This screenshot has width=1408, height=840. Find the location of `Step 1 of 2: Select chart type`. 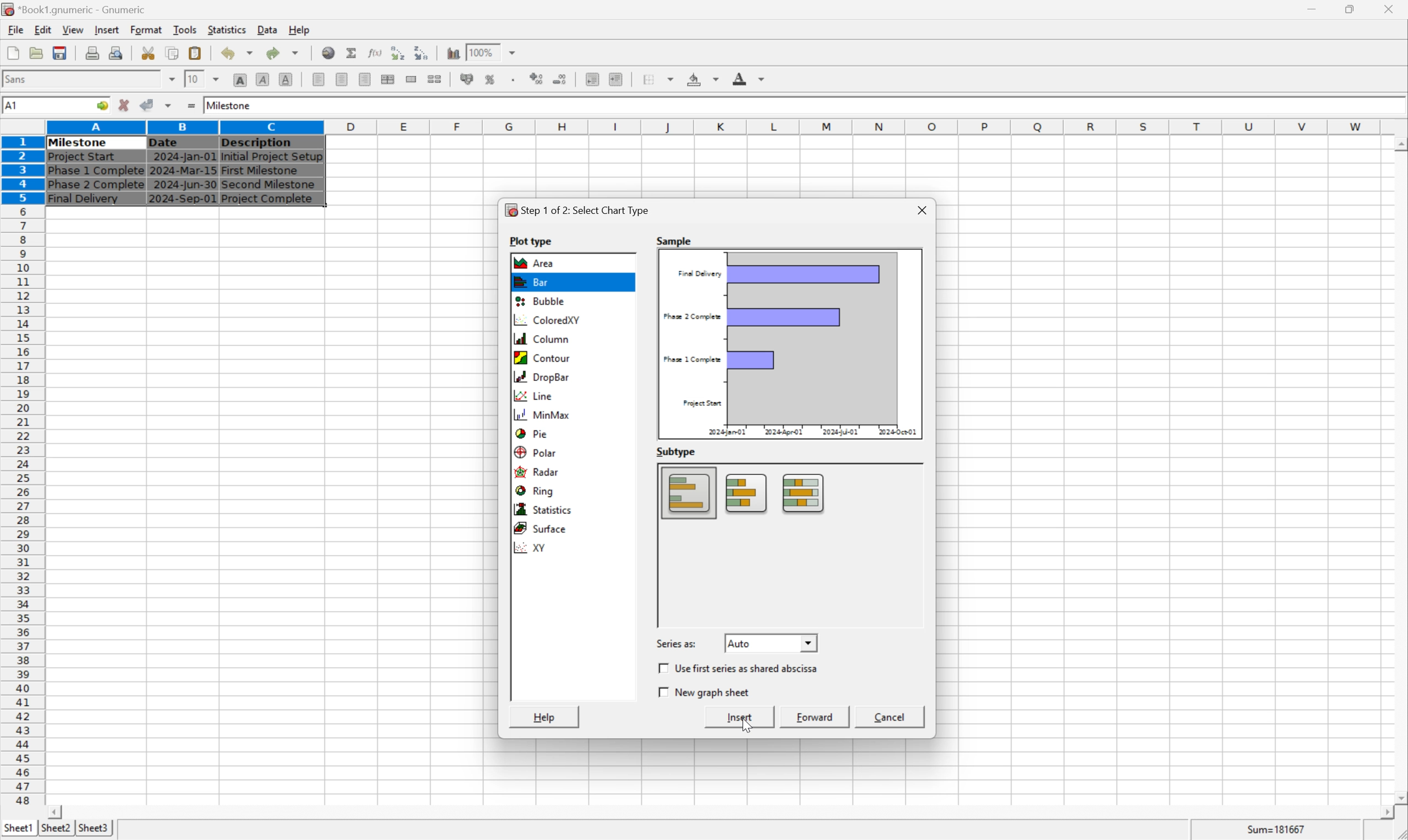

Step 1 of 2: Select chart type is located at coordinates (580, 210).